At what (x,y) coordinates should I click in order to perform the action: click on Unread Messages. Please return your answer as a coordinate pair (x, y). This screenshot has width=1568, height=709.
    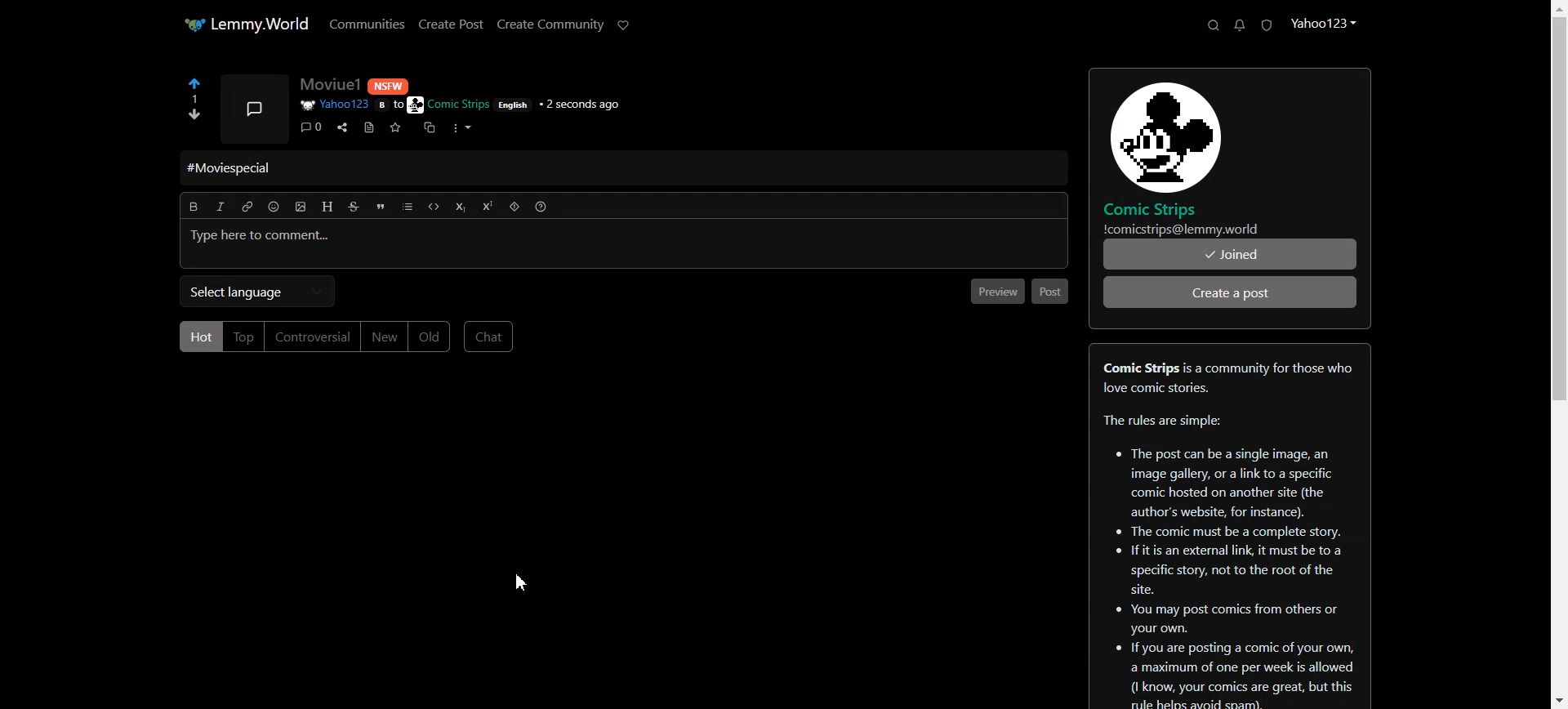
    Looking at the image, I should click on (1240, 25).